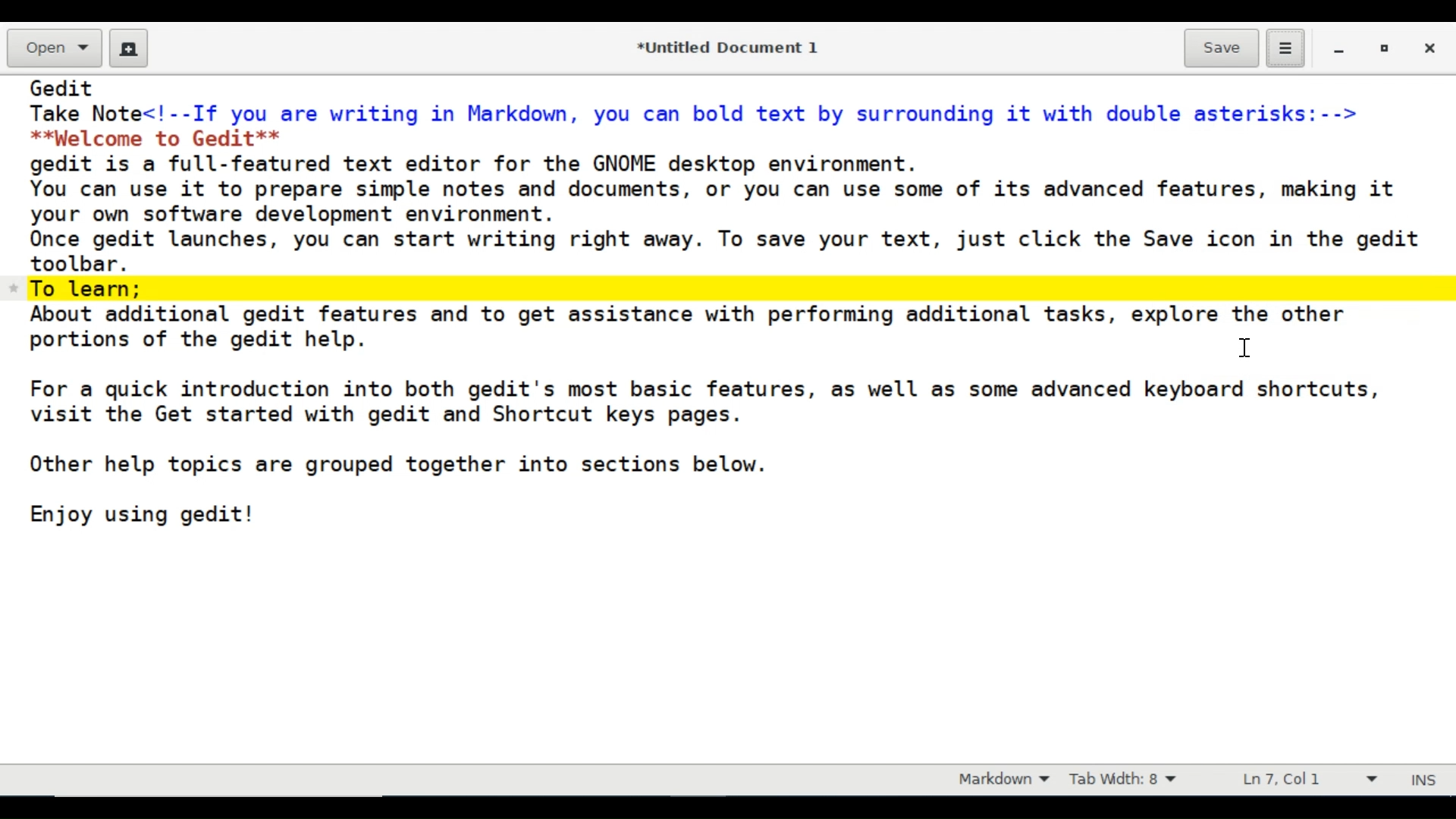  What do you see at coordinates (485, 162) in the screenshot?
I see `gedit is a full-featured text editor for the GNOME desktop environment.` at bounding box center [485, 162].